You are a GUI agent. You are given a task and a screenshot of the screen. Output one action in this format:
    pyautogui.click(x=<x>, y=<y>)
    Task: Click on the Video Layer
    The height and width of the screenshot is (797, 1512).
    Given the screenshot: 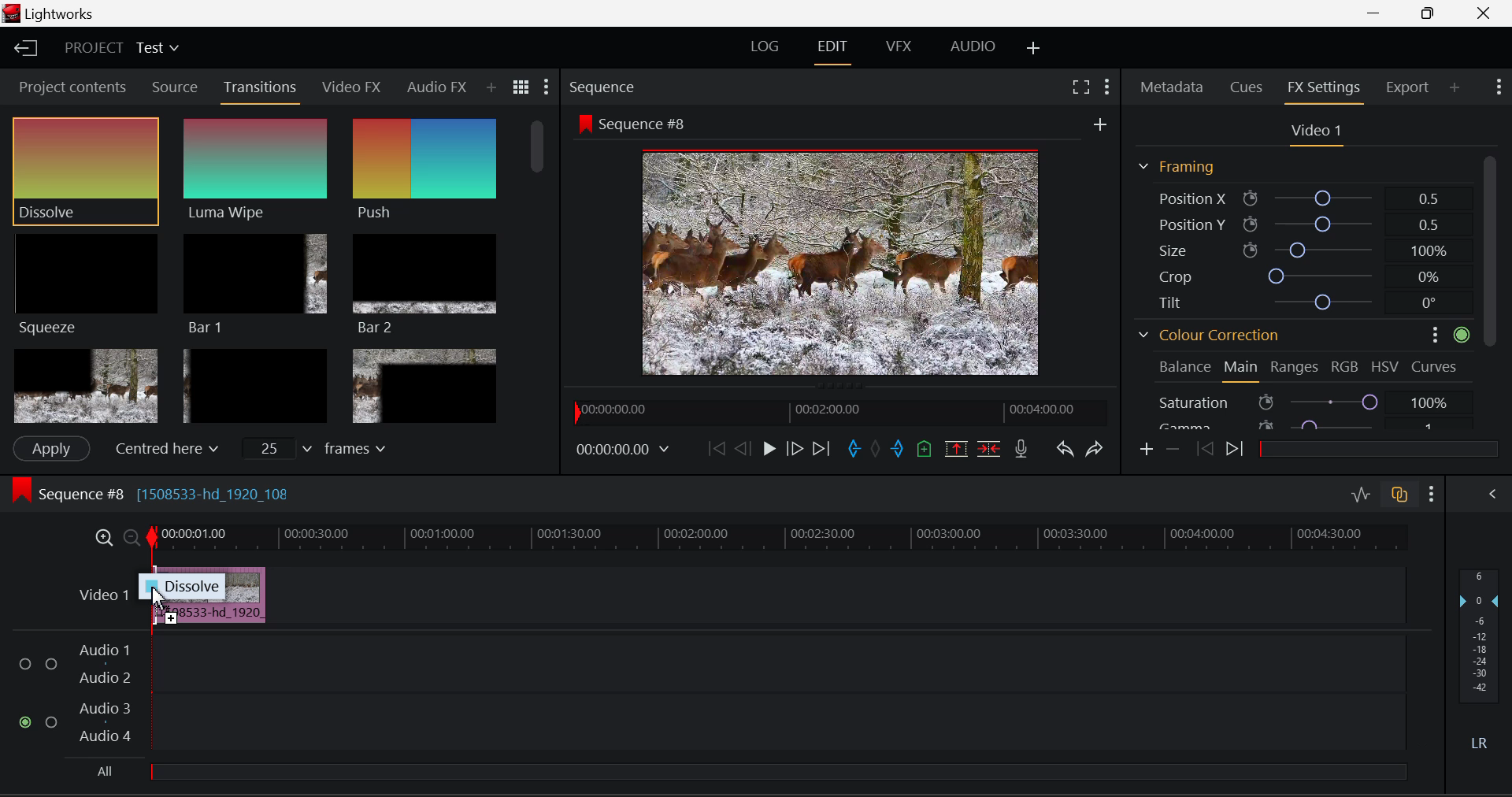 What is the action you would take?
    pyautogui.click(x=105, y=595)
    